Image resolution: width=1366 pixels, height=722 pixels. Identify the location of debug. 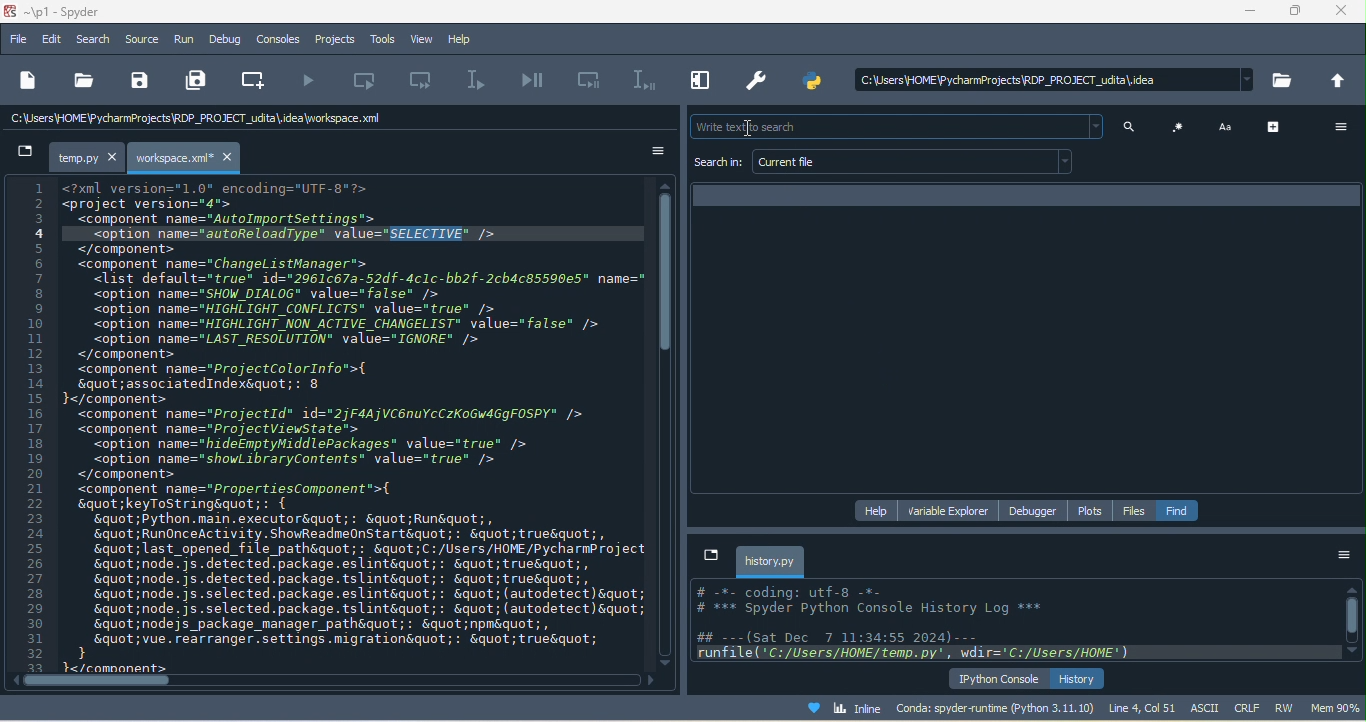
(226, 39).